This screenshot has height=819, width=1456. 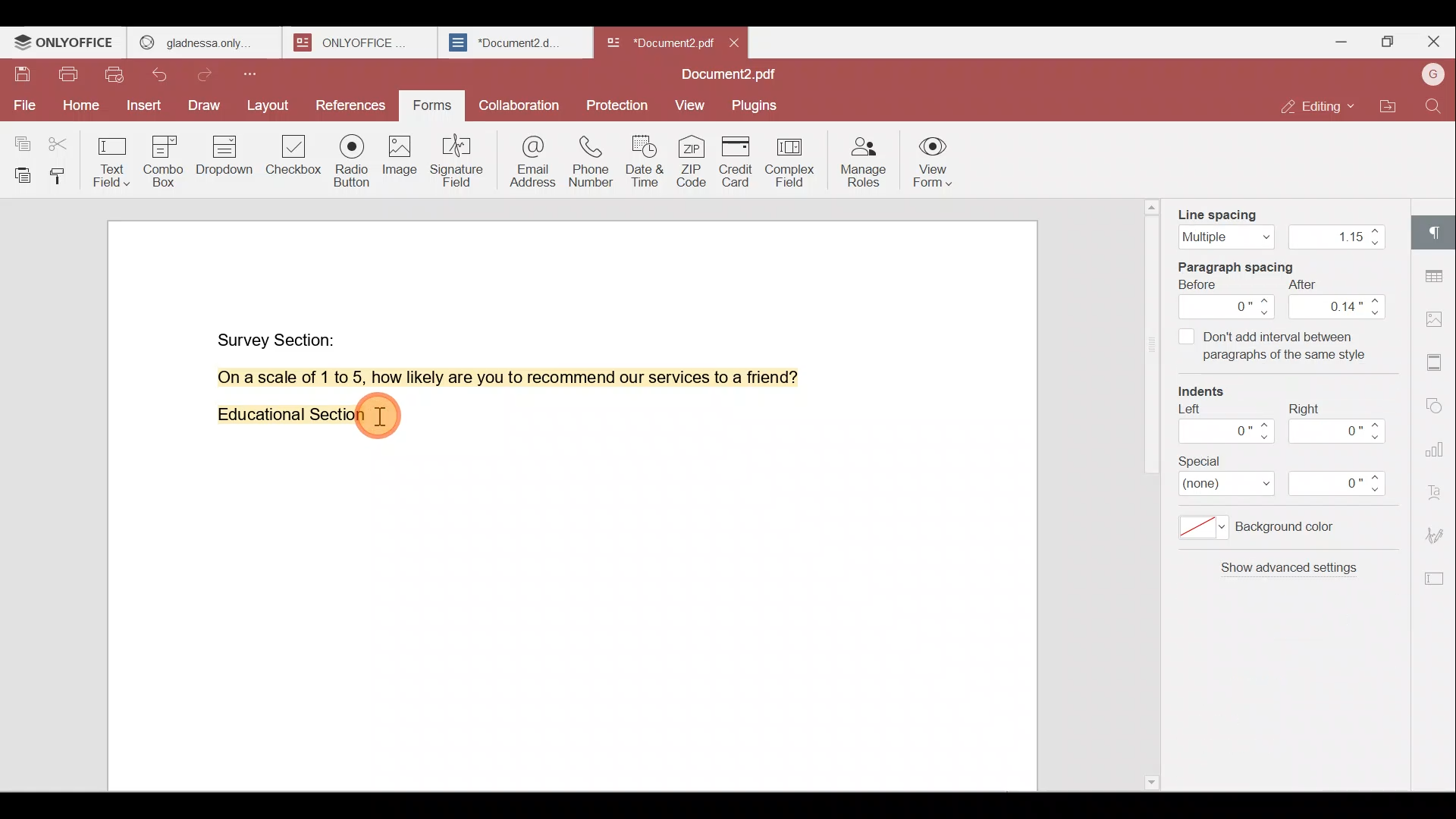 I want to click on Editing mode, so click(x=1320, y=106).